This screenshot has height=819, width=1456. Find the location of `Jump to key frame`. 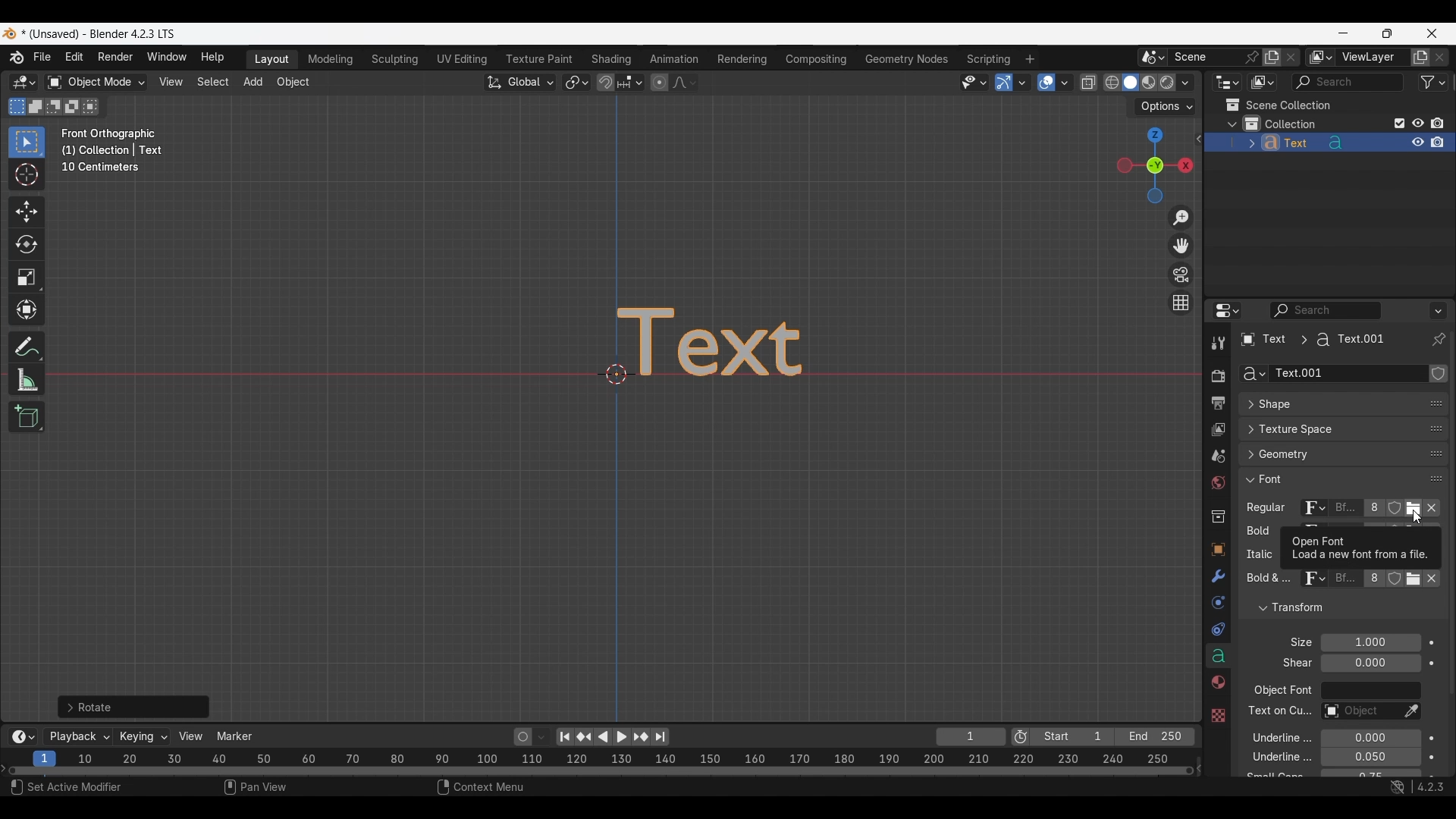

Jump to key frame is located at coordinates (584, 737).